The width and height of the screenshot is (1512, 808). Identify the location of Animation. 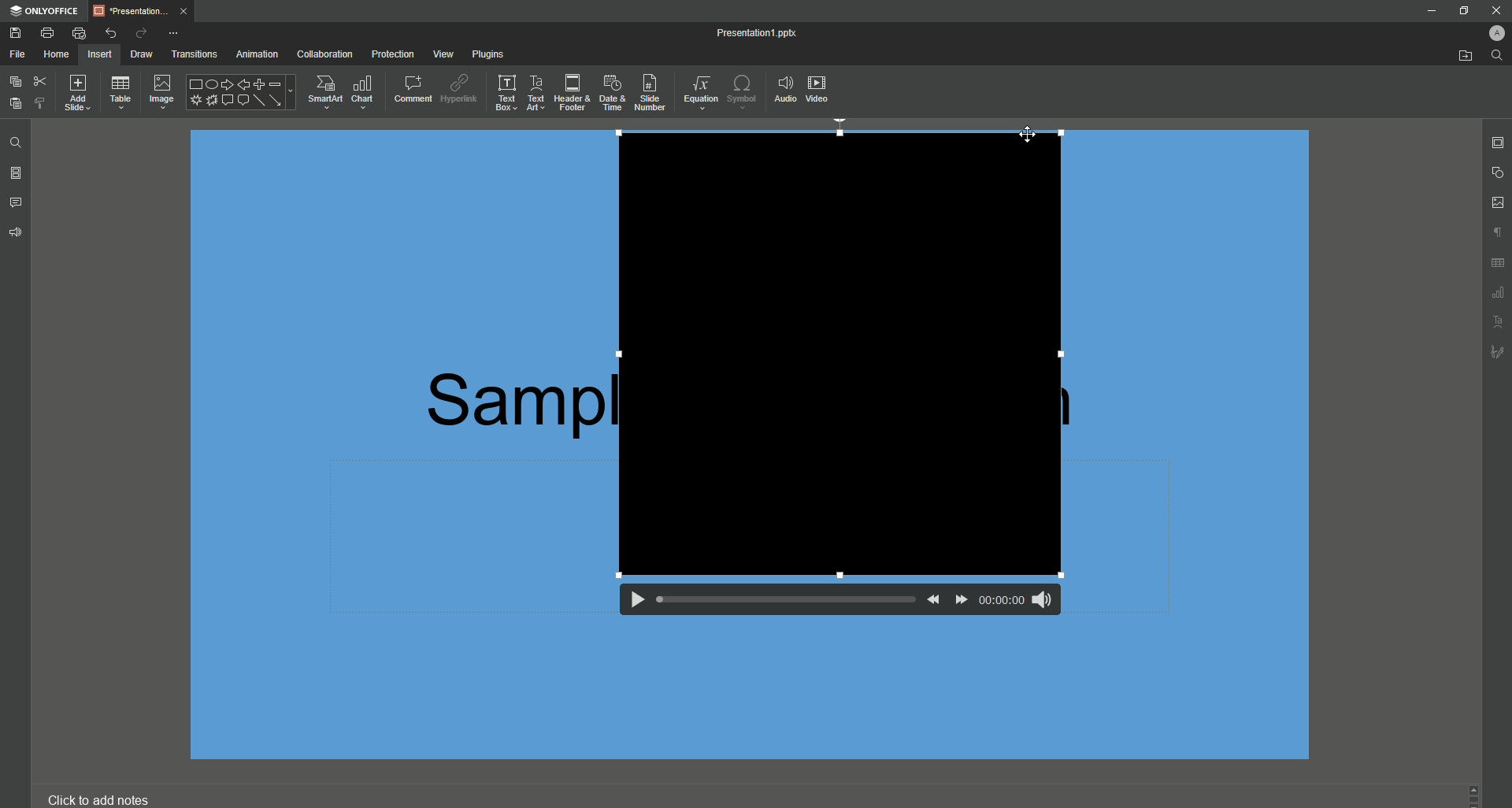
(256, 55).